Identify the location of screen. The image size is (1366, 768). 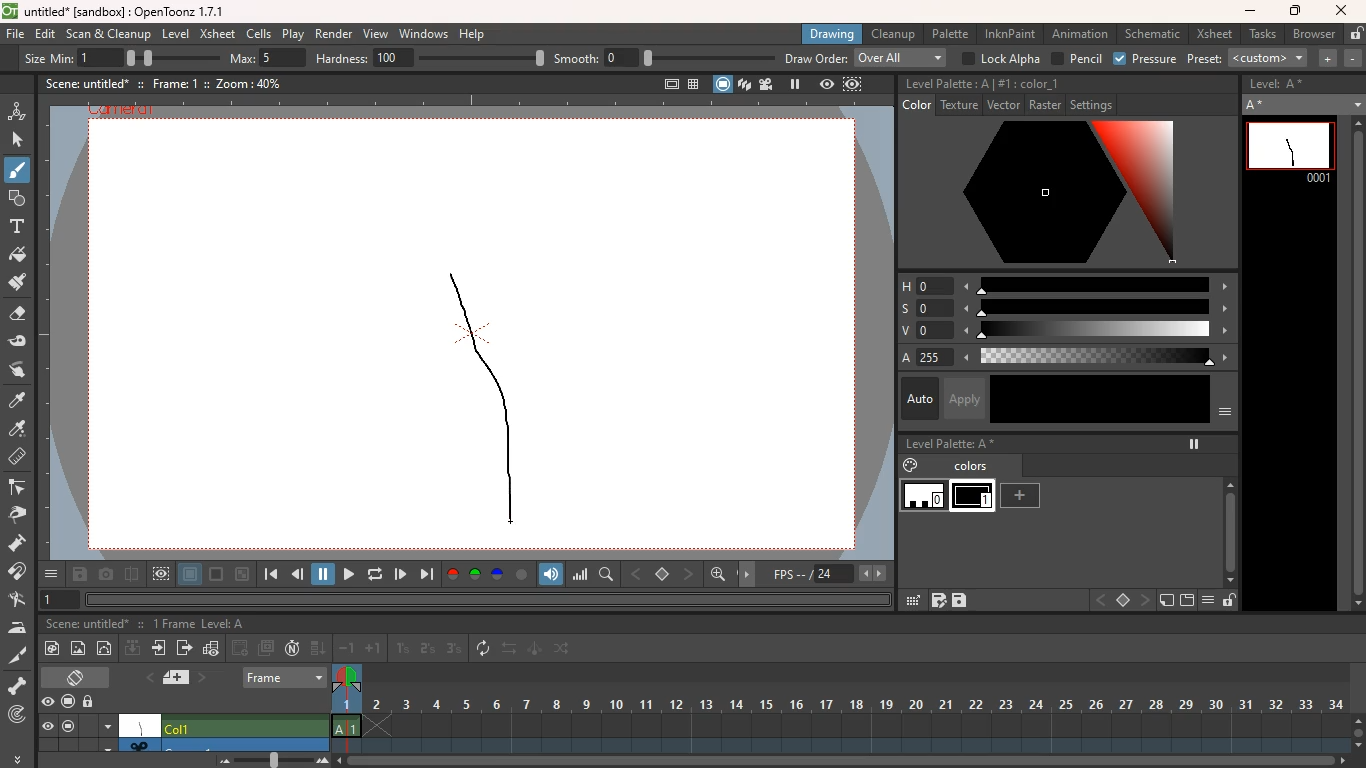
(69, 727).